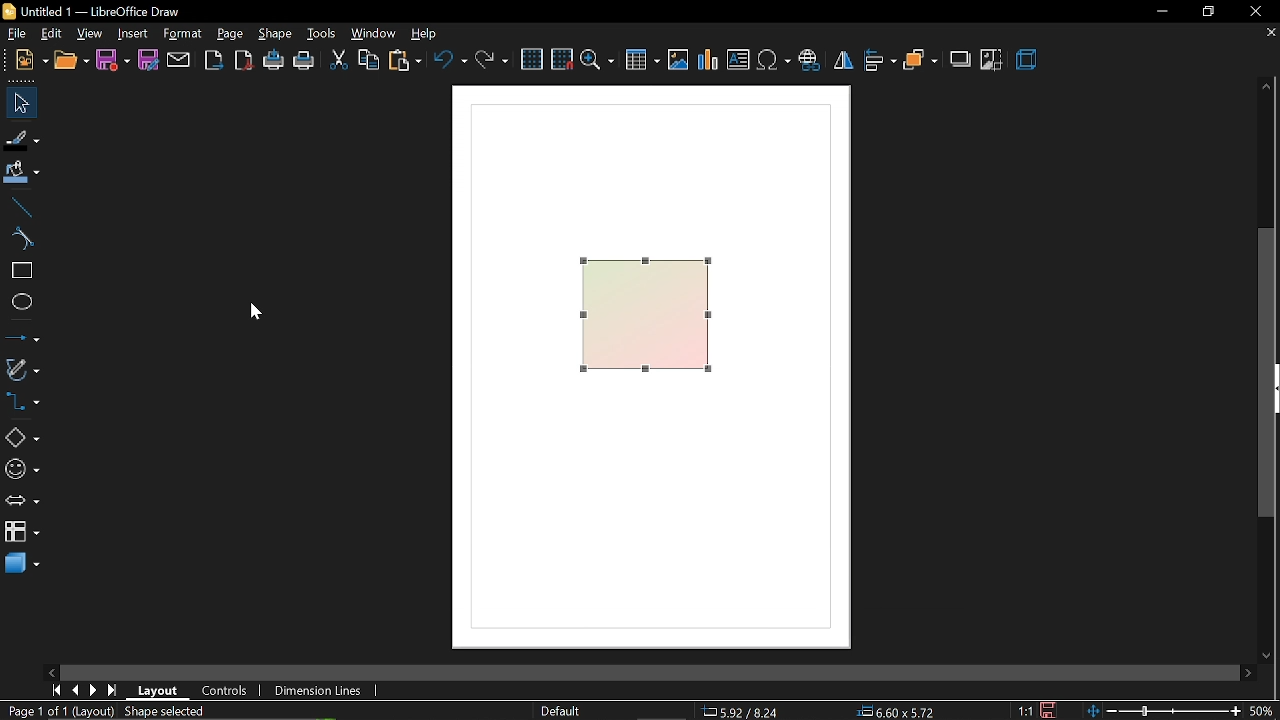  Describe the element at coordinates (216, 60) in the screenshot. I see `export` at that location.